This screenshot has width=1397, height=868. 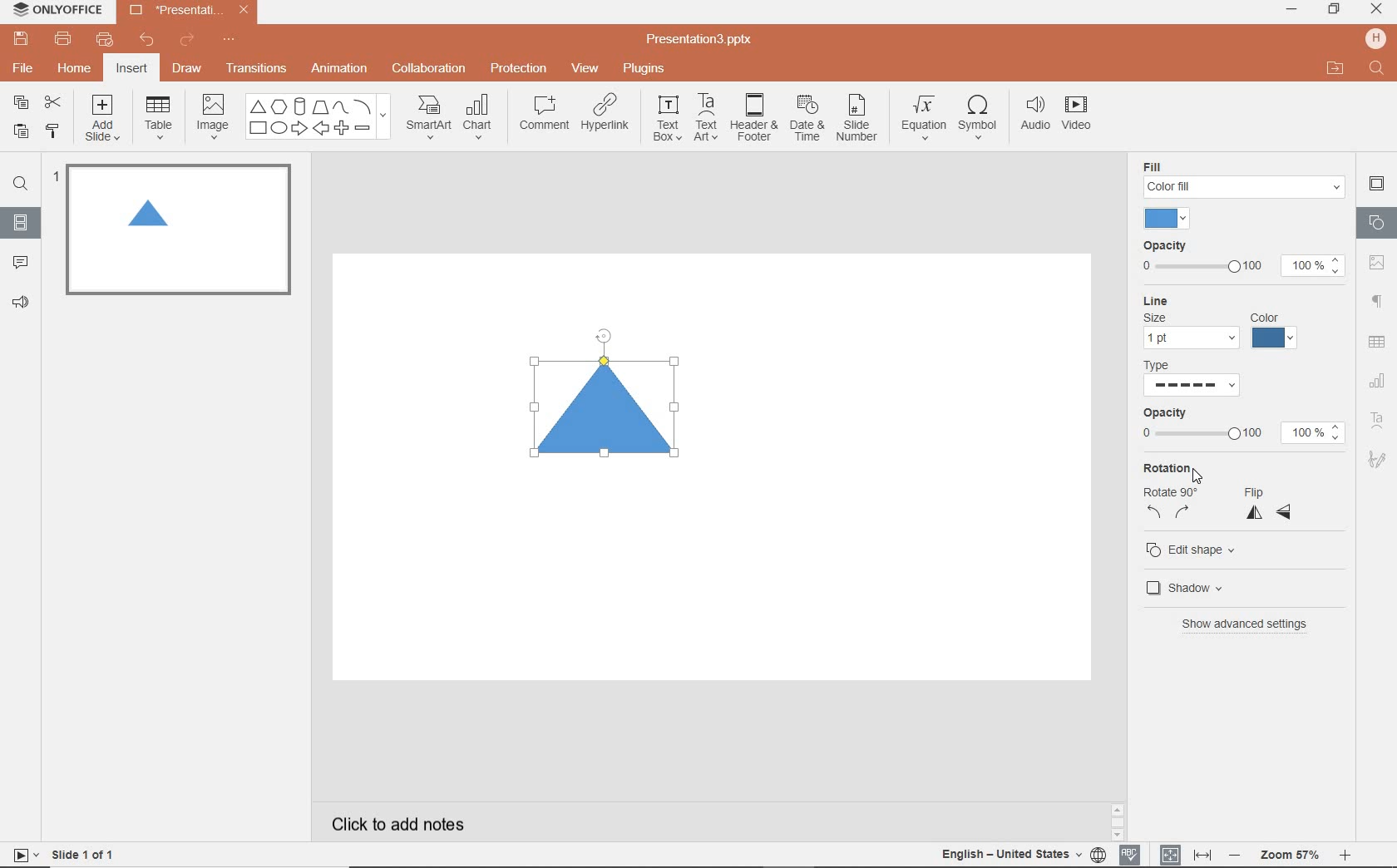 What do you see at coordinates (1375, 222) in the screenshot?
I see `SHAPE SETTINGS` at bounding box center [1375, 222].